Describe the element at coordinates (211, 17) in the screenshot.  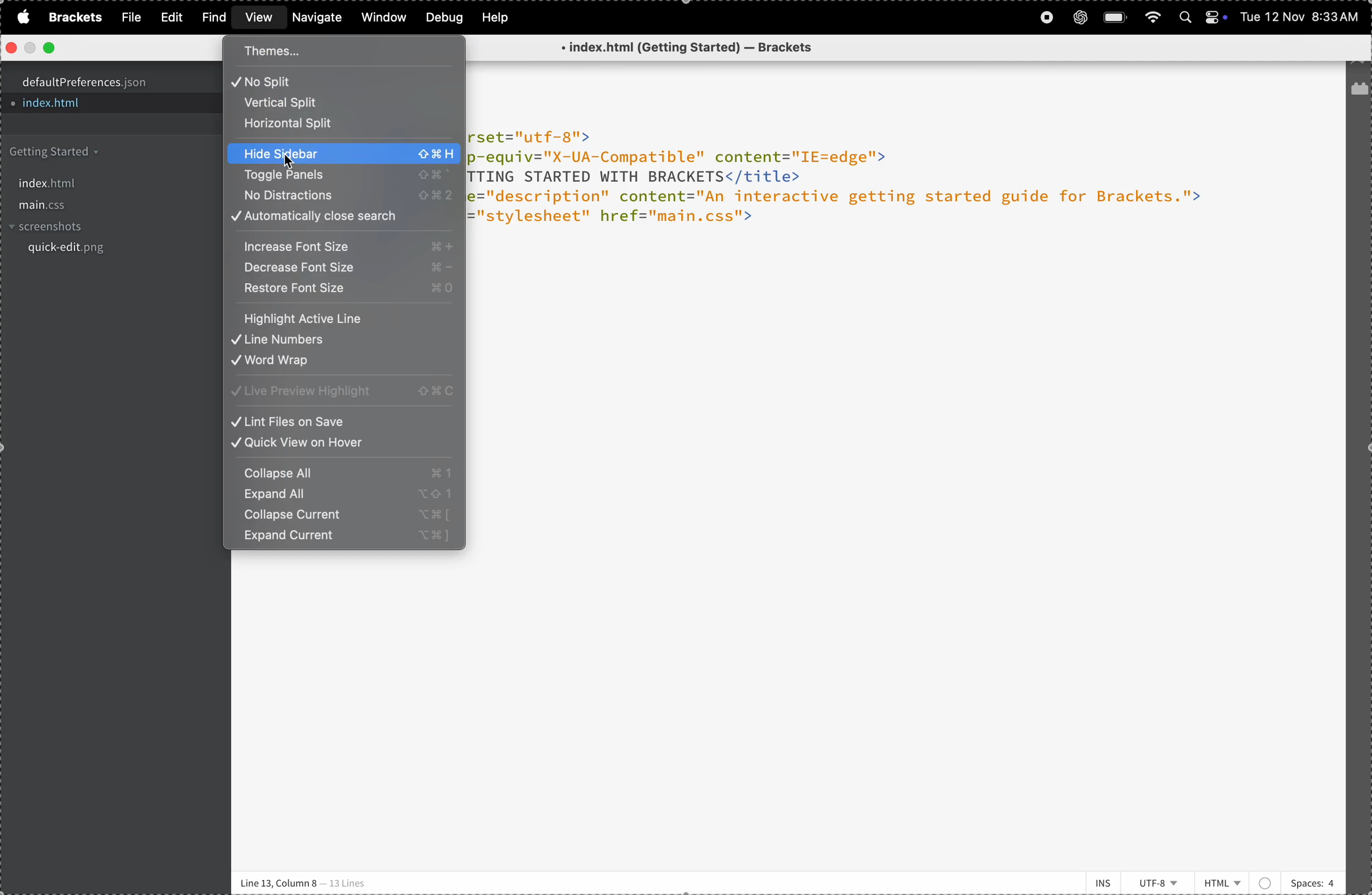
I see `find` at that location.